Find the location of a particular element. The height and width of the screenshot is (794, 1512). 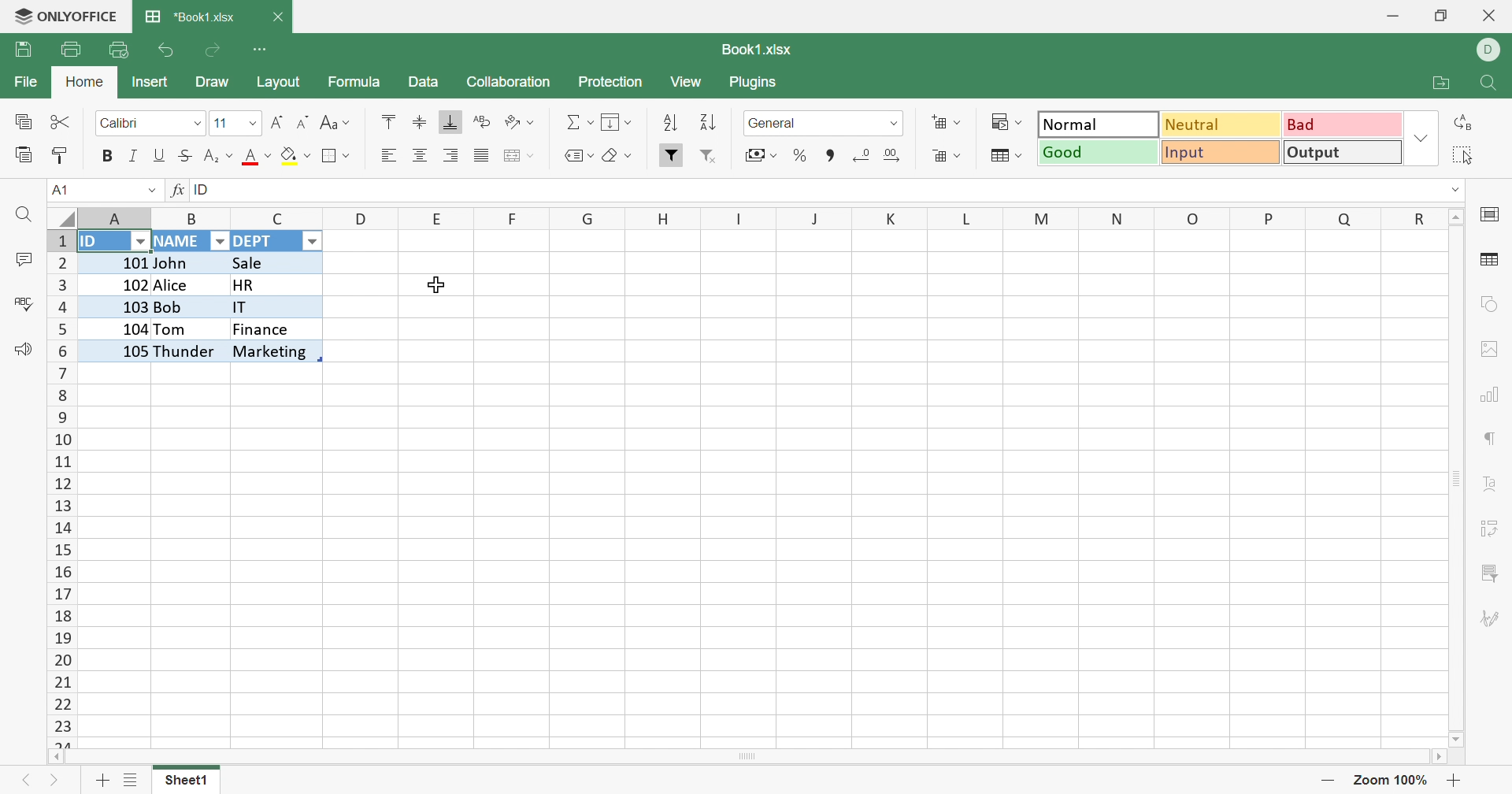

Conditional formatting is located at coordinates (1005, 121).